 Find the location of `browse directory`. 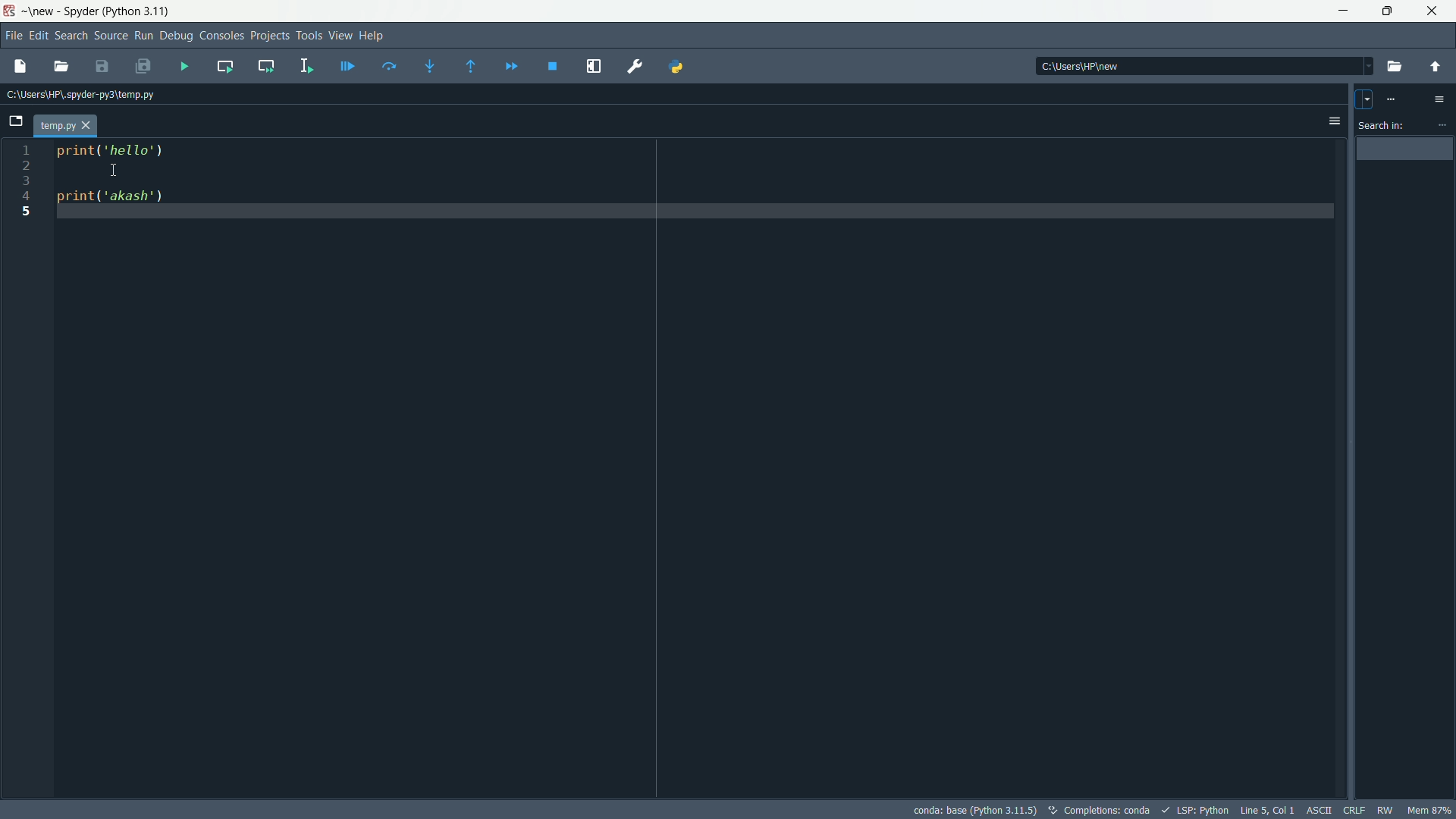

browse directory is located at coordinates (1395, 67).